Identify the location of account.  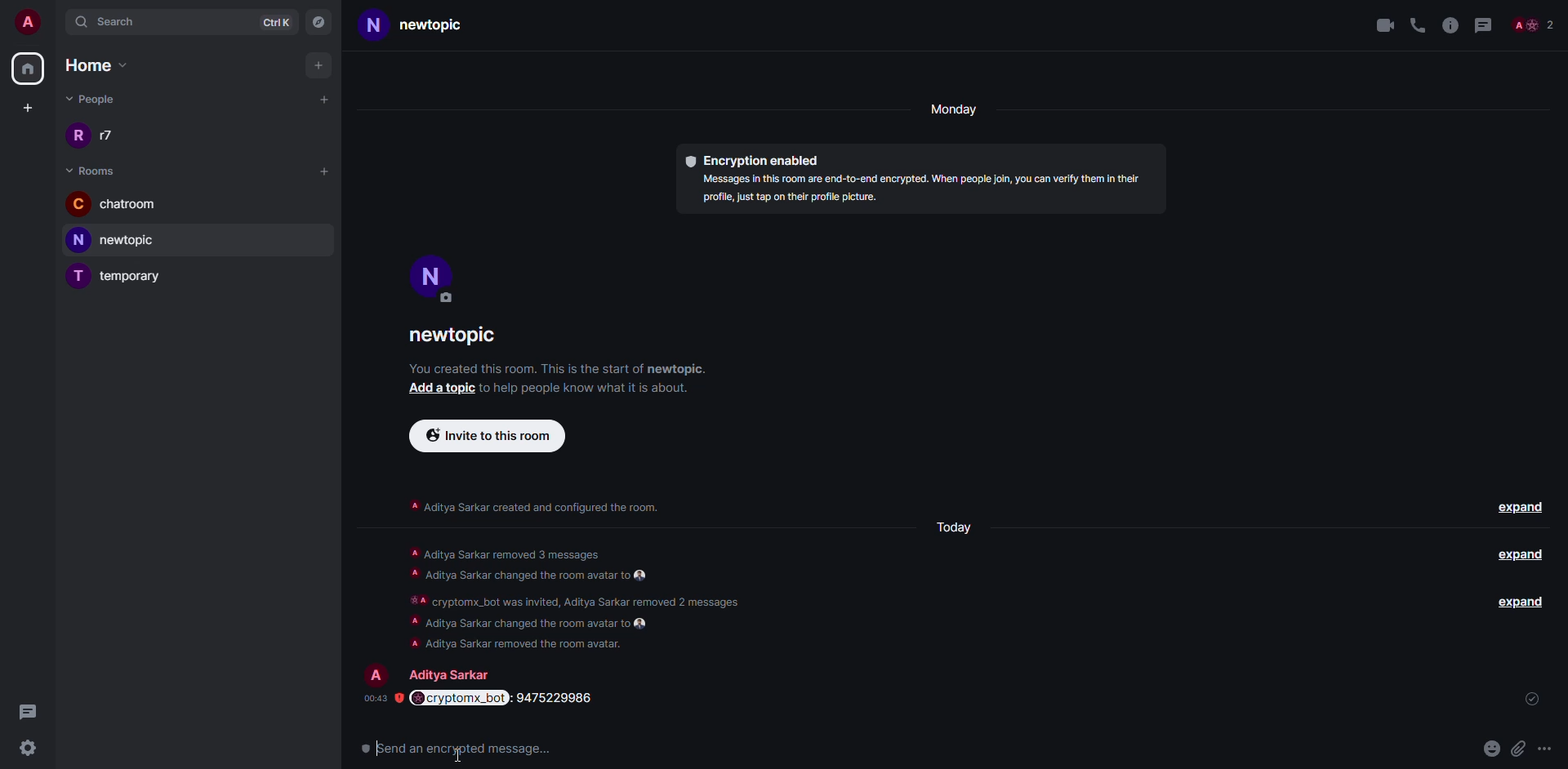
(29, 20).